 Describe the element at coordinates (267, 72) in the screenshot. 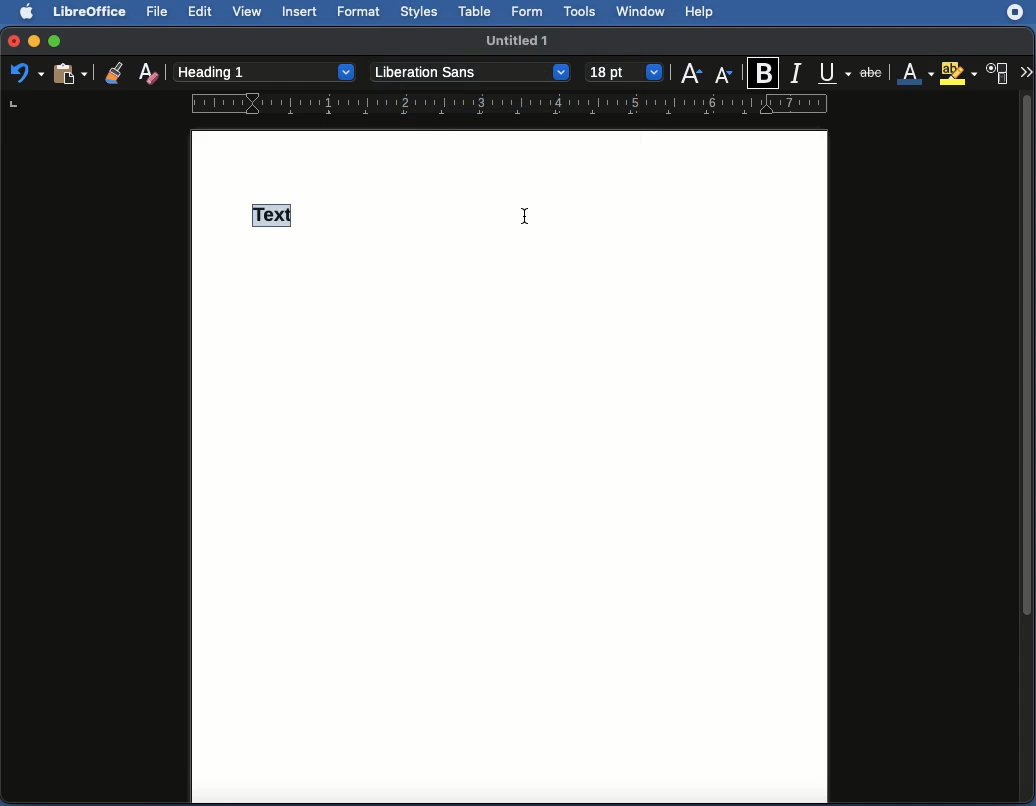

I see `Paragraph style` at that location.